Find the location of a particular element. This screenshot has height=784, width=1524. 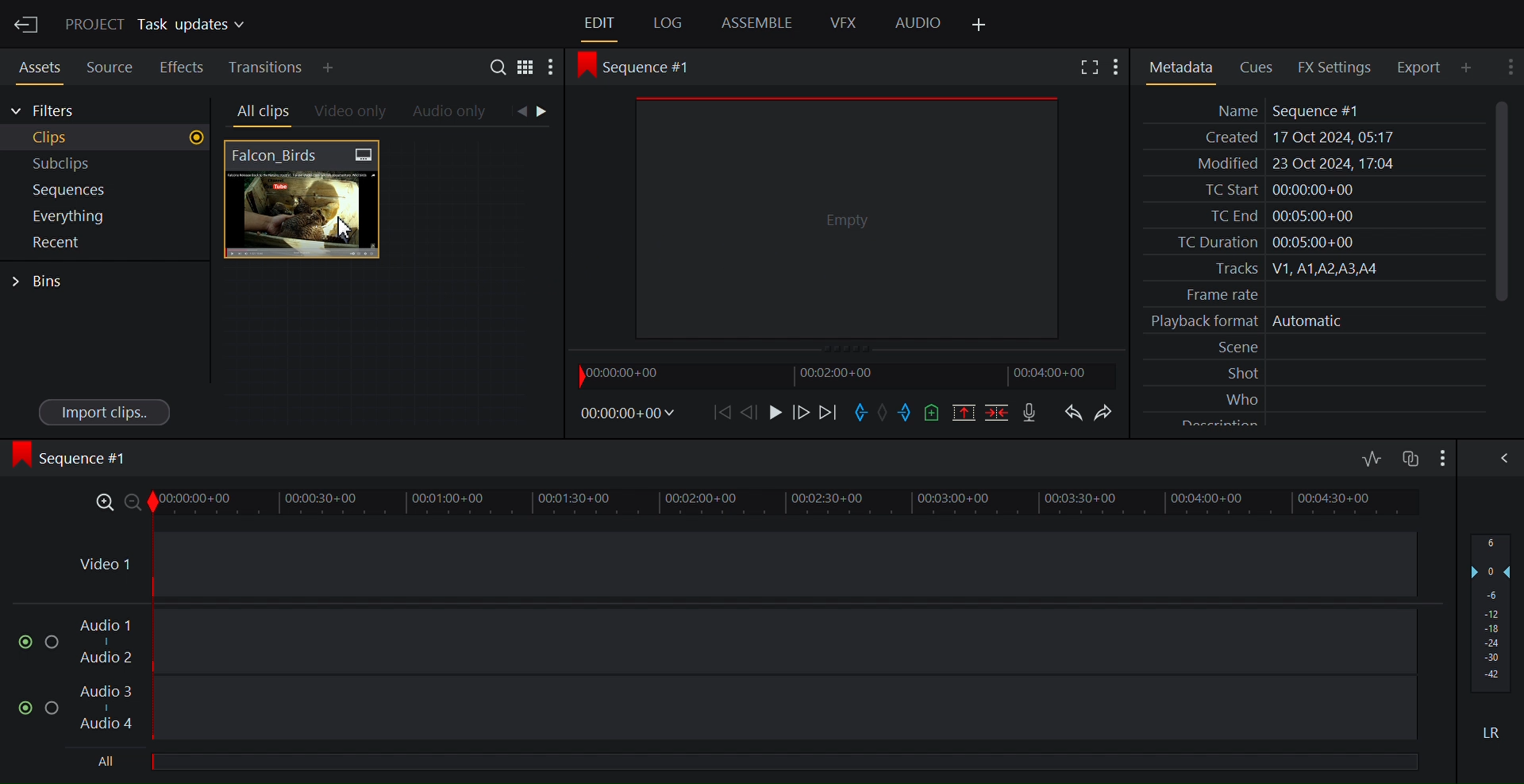

FX Settings is located at coordinates (1337, 67).